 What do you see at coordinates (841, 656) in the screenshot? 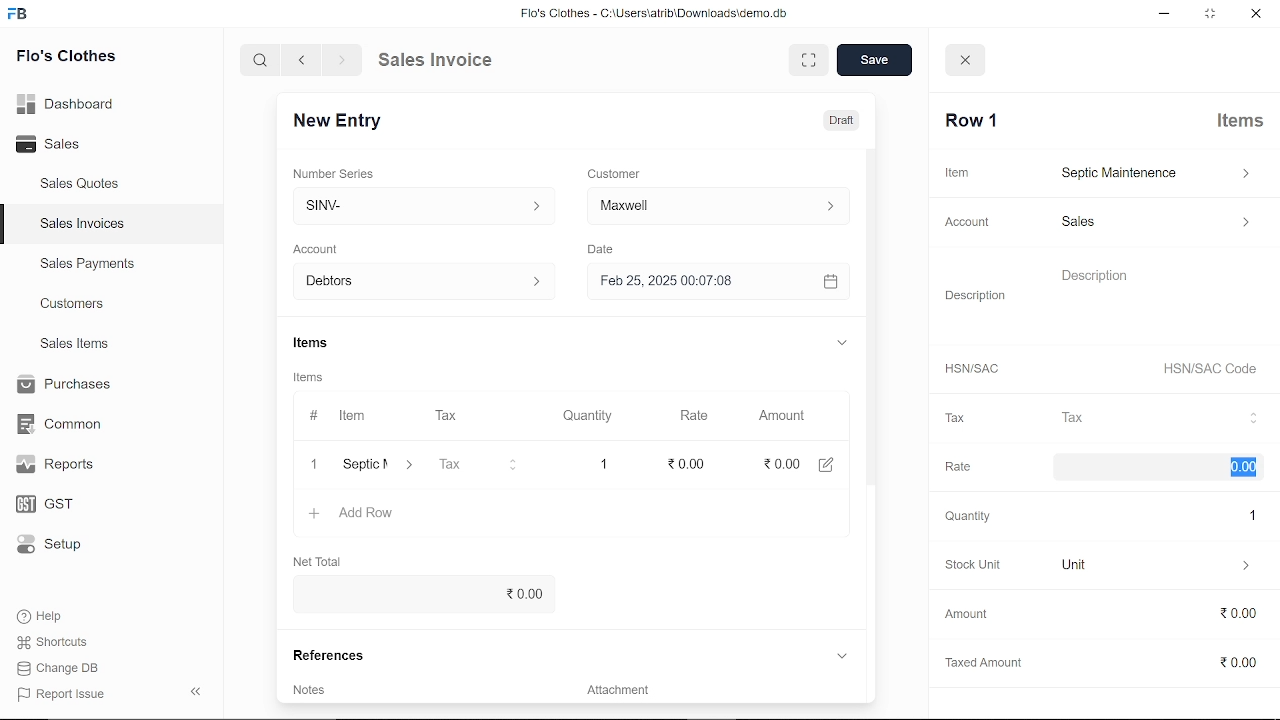
I see `expand reference` at bounding box center [841, 656].